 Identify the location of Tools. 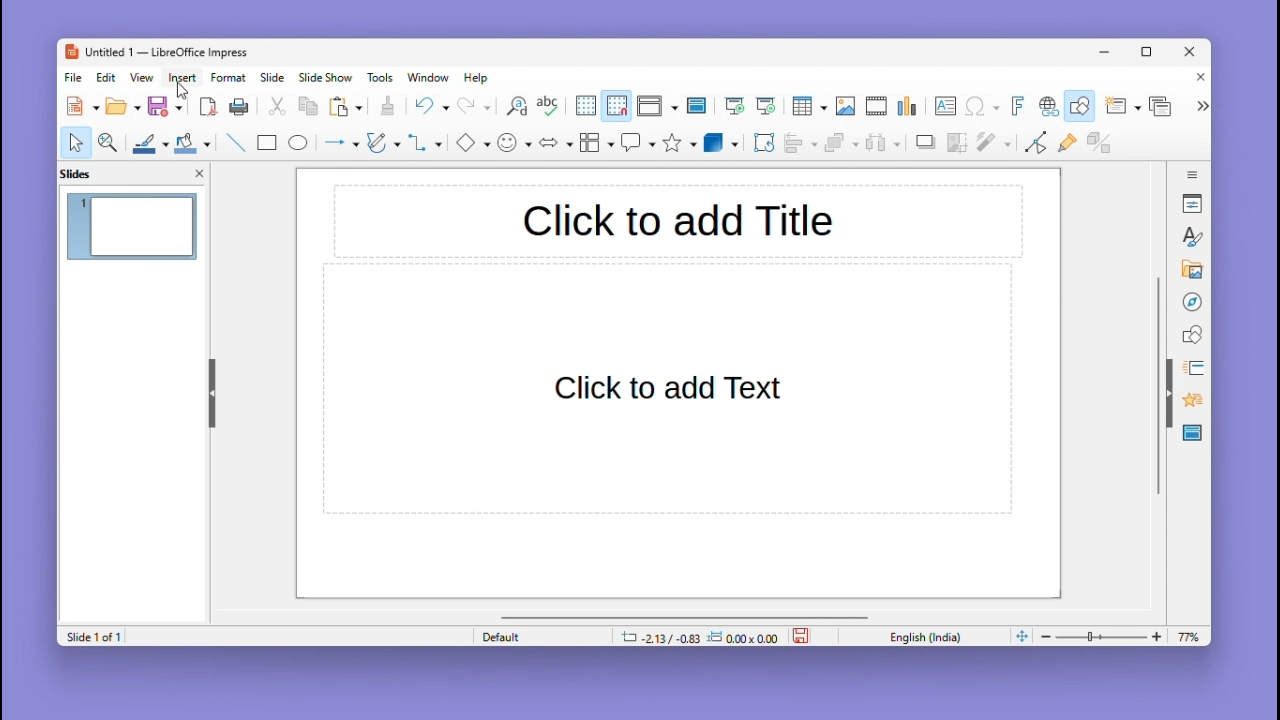
(383, 77).